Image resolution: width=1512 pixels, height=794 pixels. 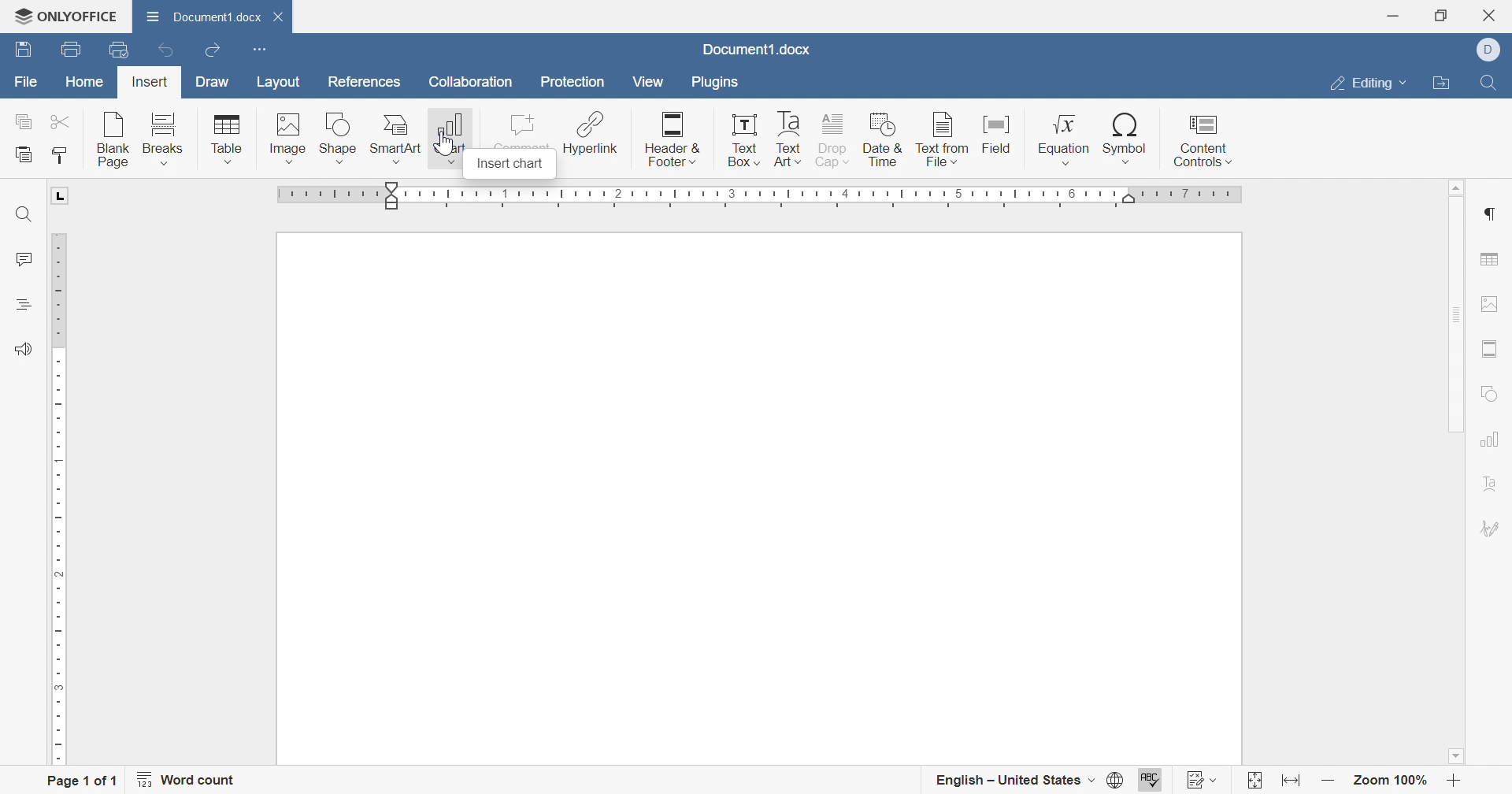 What do you see at coordinates (1495, 214) in the screenshot?
I see `Paragraph settings` at bounding box center [1495, 214].